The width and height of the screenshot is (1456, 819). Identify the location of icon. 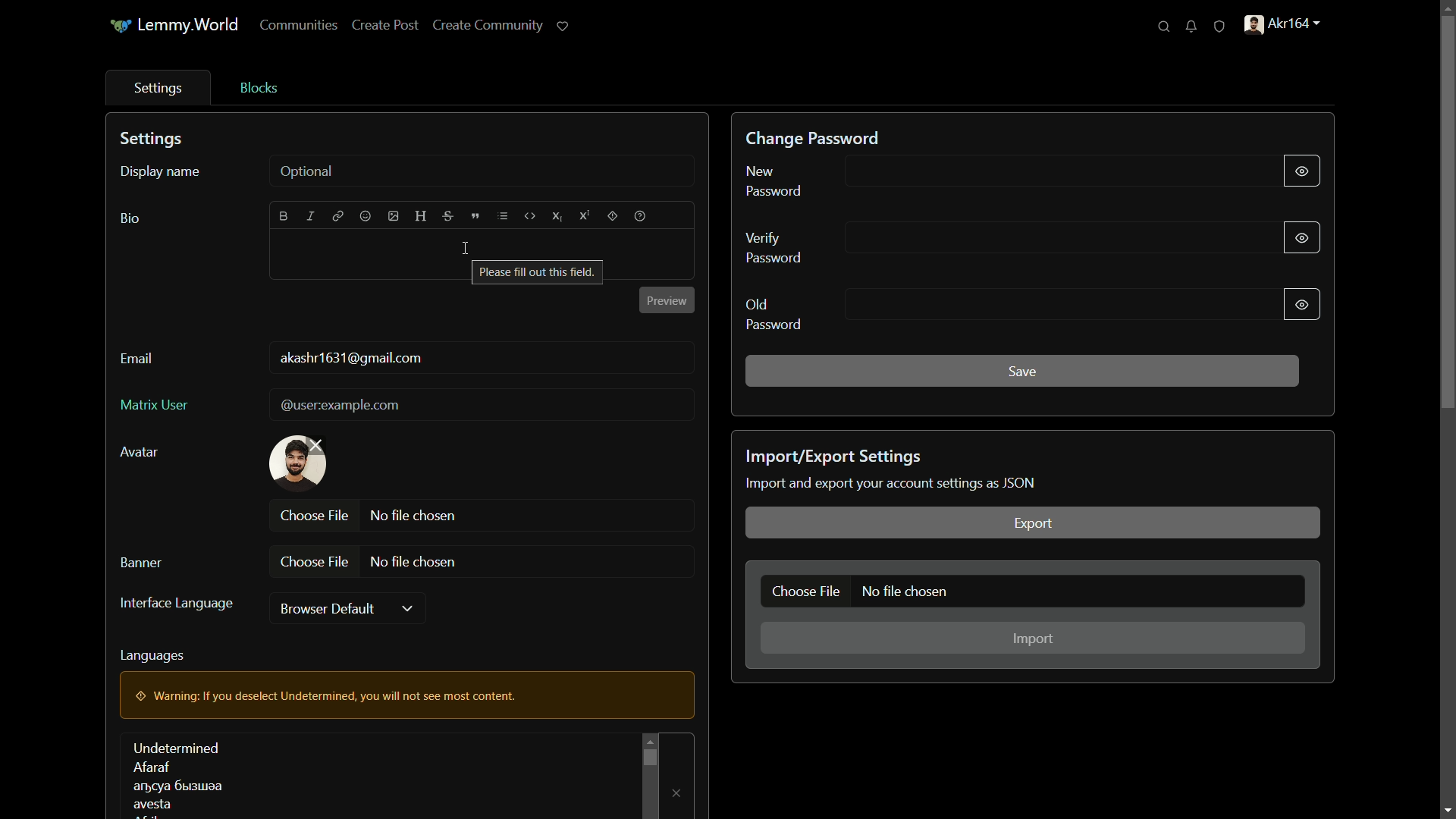
(120, 26).